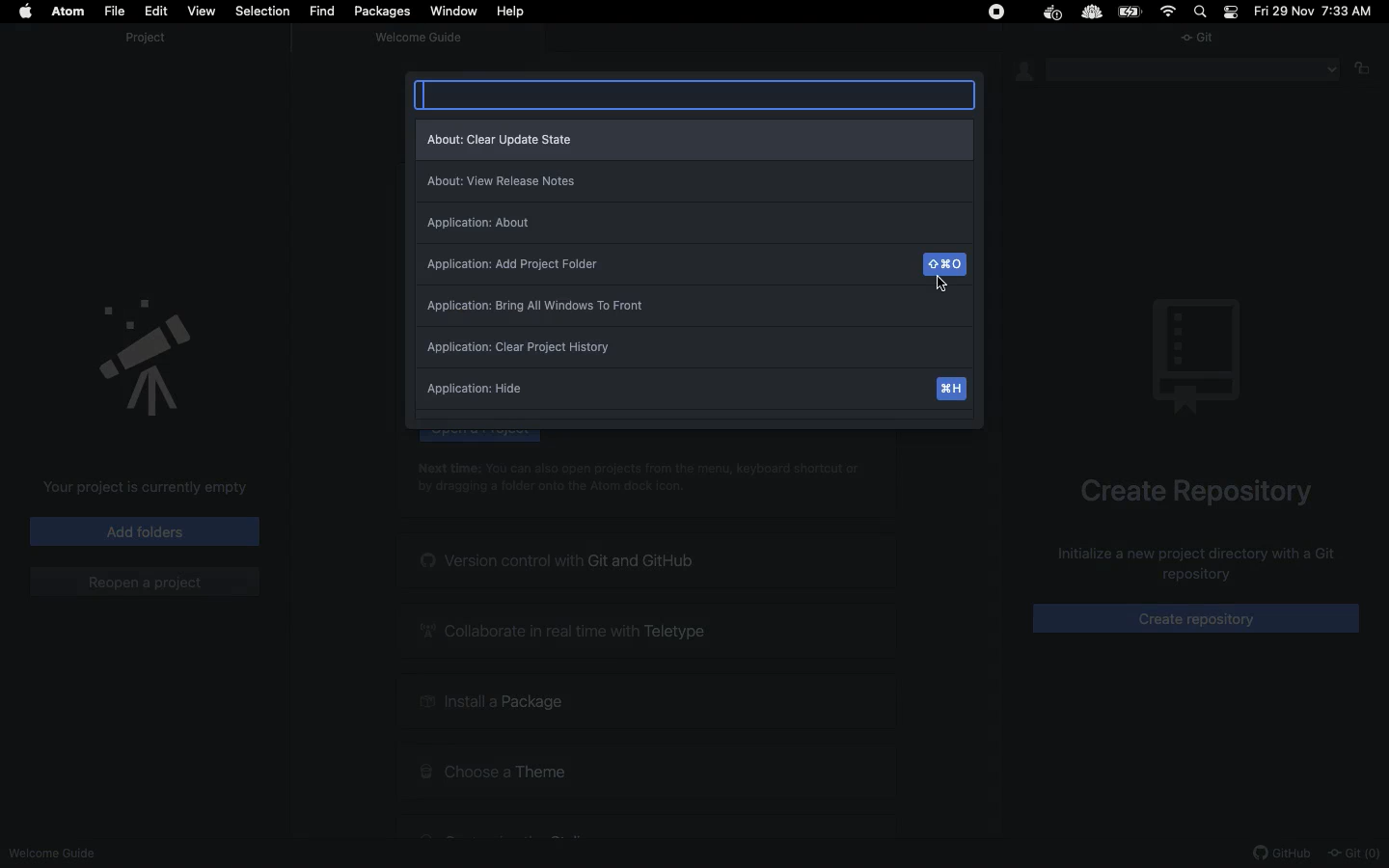  What do you see at coordinates (143, 530) in the screenshot?
I see `Add folders` at bounding box center [143, 530].